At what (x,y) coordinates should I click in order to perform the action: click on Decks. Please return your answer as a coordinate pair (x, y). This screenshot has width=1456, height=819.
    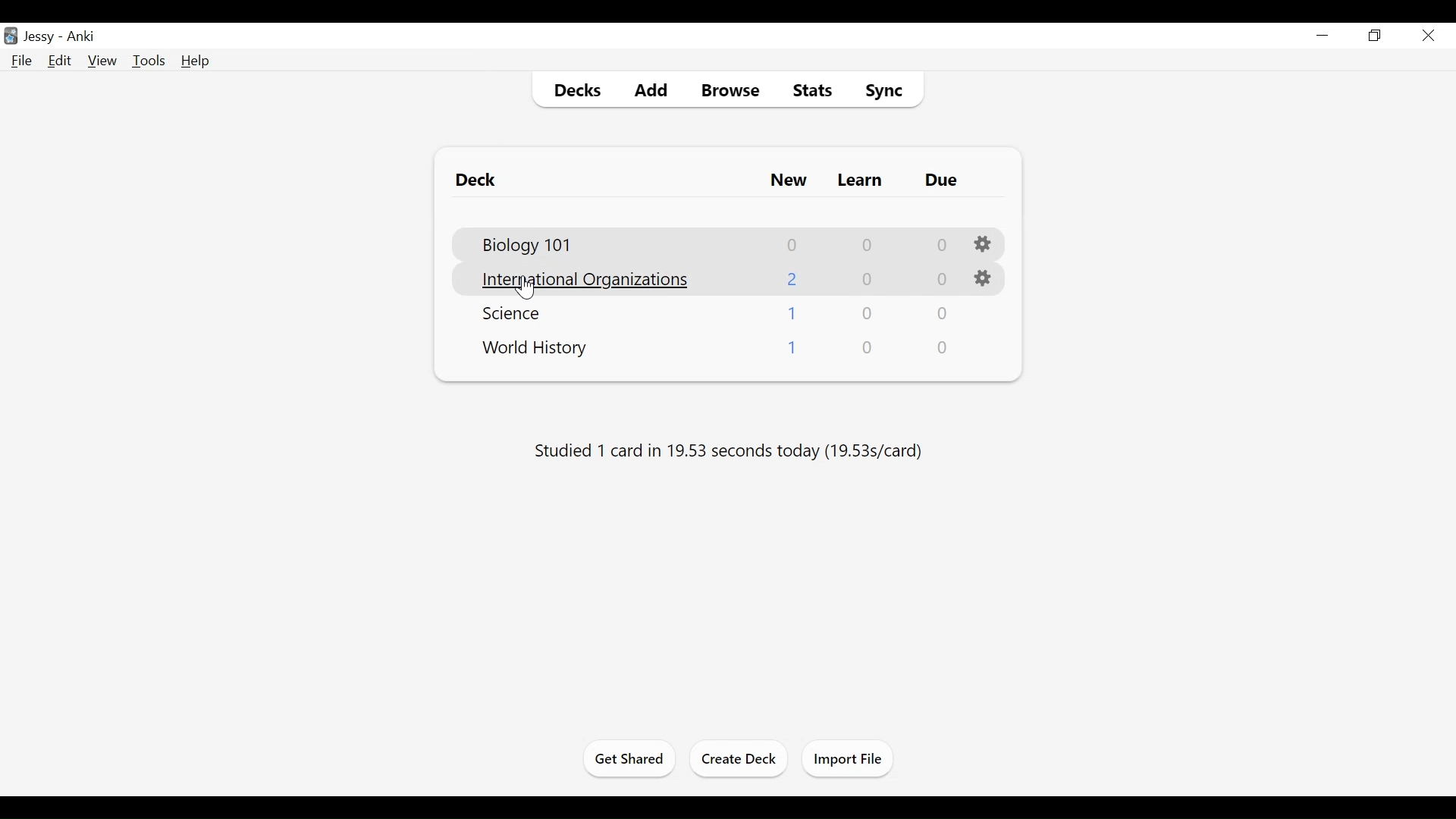
    Looking at the image, I should click on (571, 92).